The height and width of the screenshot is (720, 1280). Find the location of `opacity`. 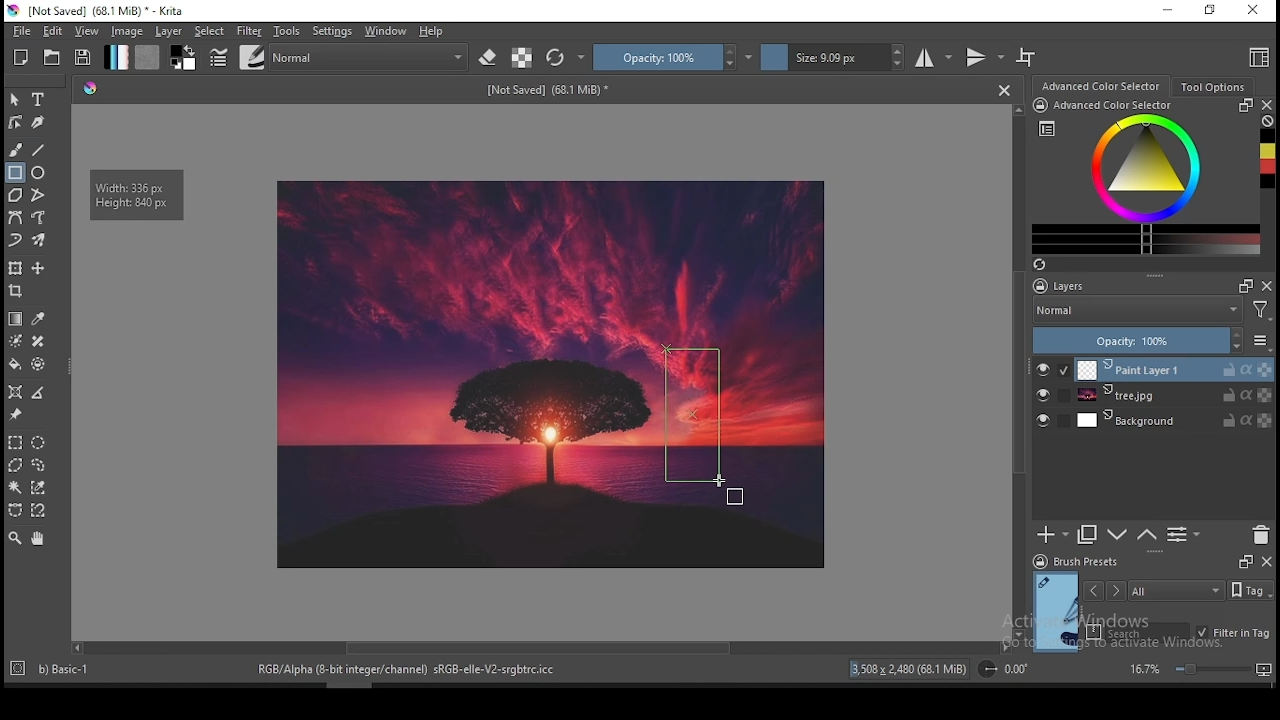

opacity is located at coordinates (1152, 340).